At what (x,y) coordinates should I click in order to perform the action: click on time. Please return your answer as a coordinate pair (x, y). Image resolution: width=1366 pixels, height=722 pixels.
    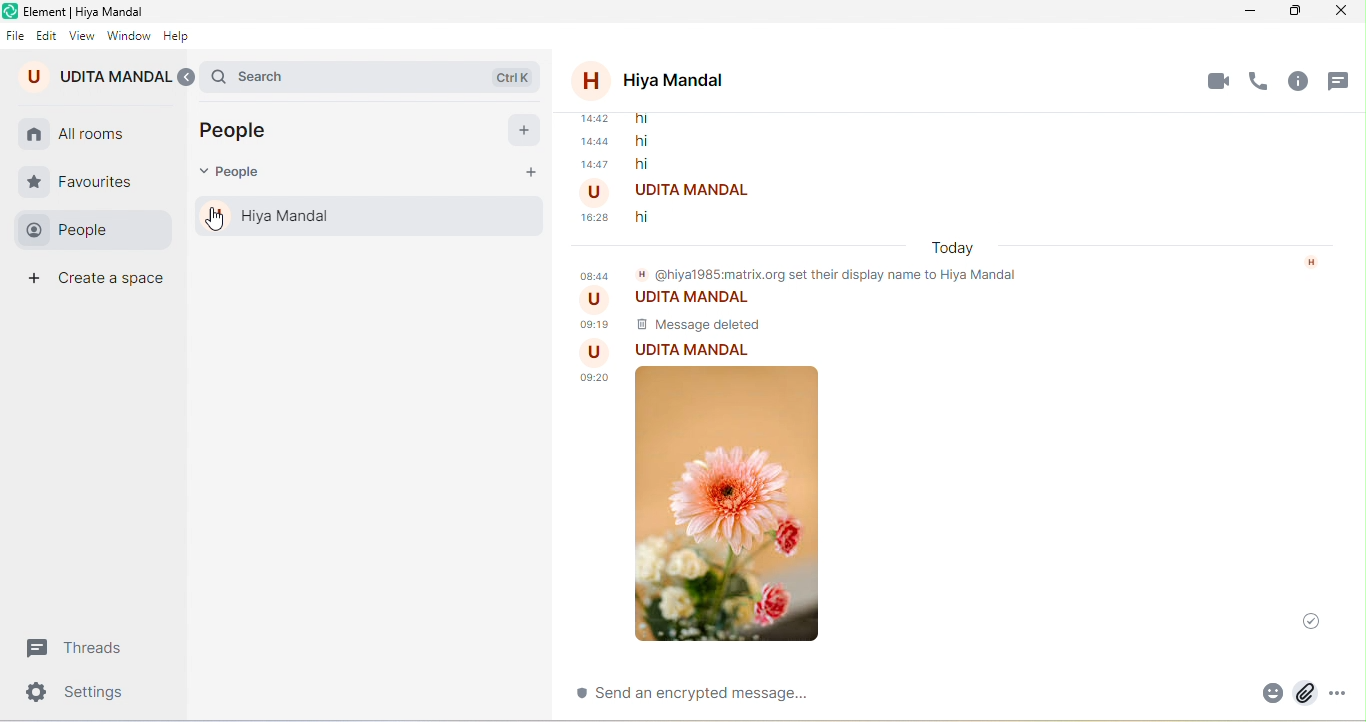
    Looking at the image, I should click on (599, 166).